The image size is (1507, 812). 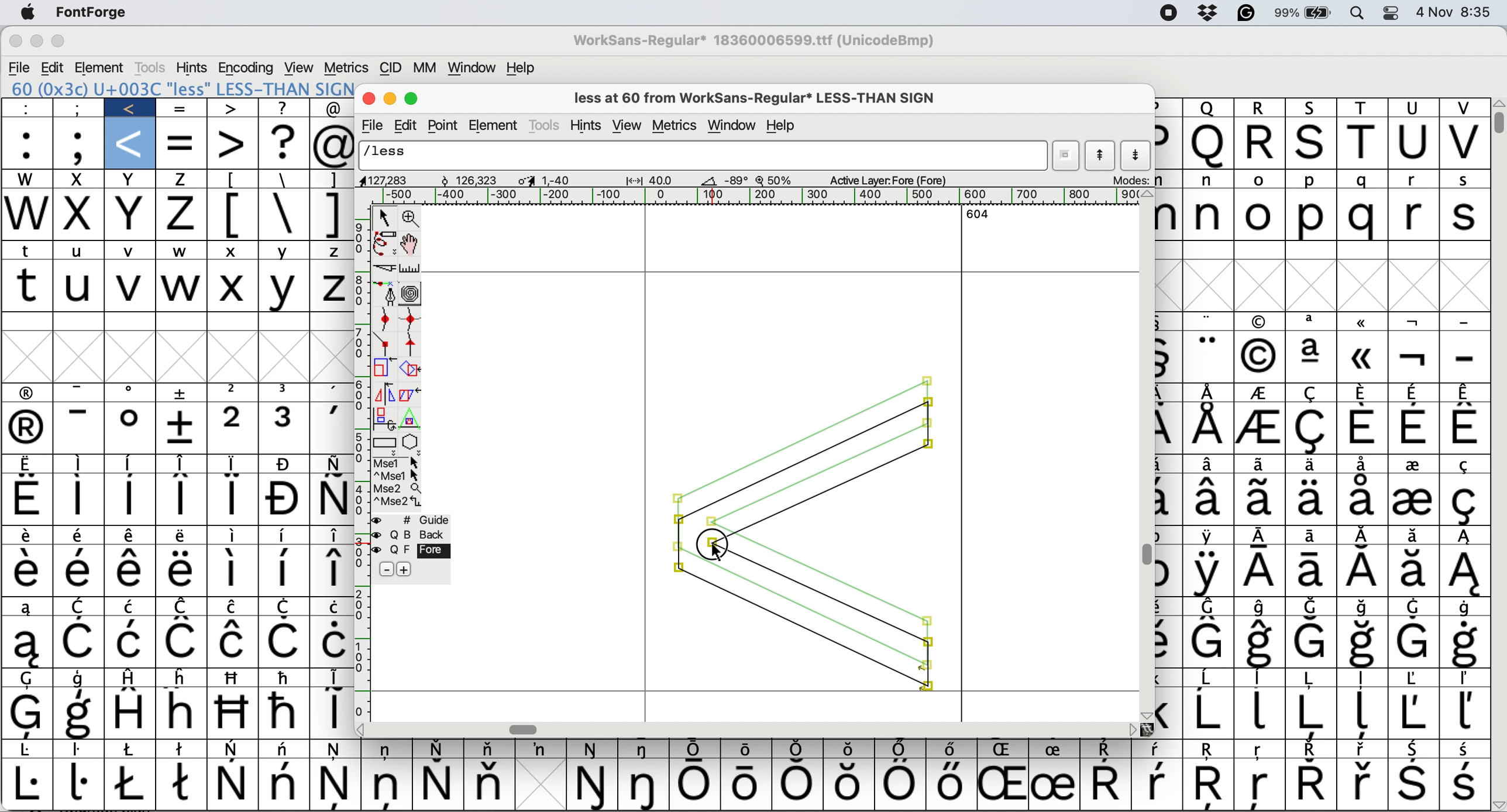 I want to click on Symbol, so click(x=29, y=394).